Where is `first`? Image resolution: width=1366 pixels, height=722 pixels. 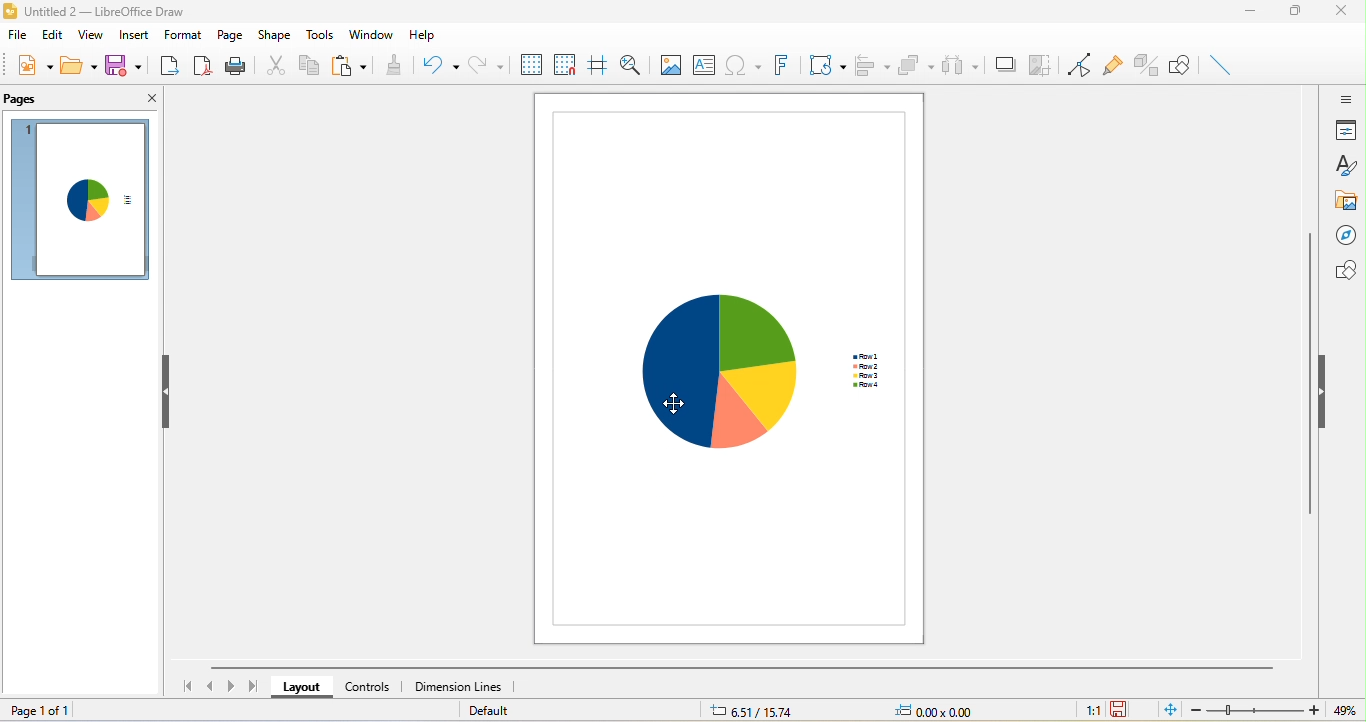
first is located at coordinates (184, 687).